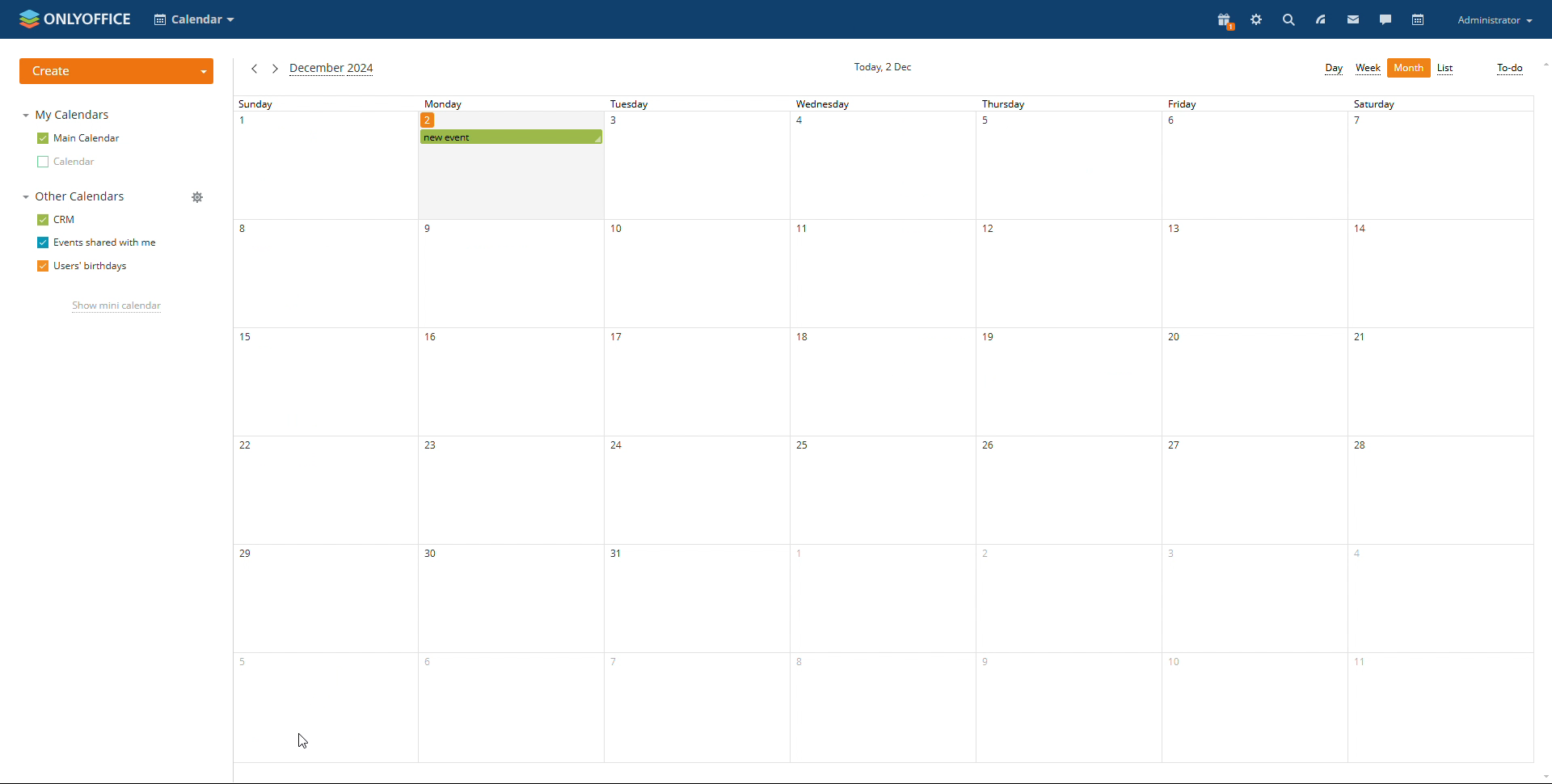 The height and width of the screenshot is (784, 1552). I want to click on scroll up , so click(1542, 66).